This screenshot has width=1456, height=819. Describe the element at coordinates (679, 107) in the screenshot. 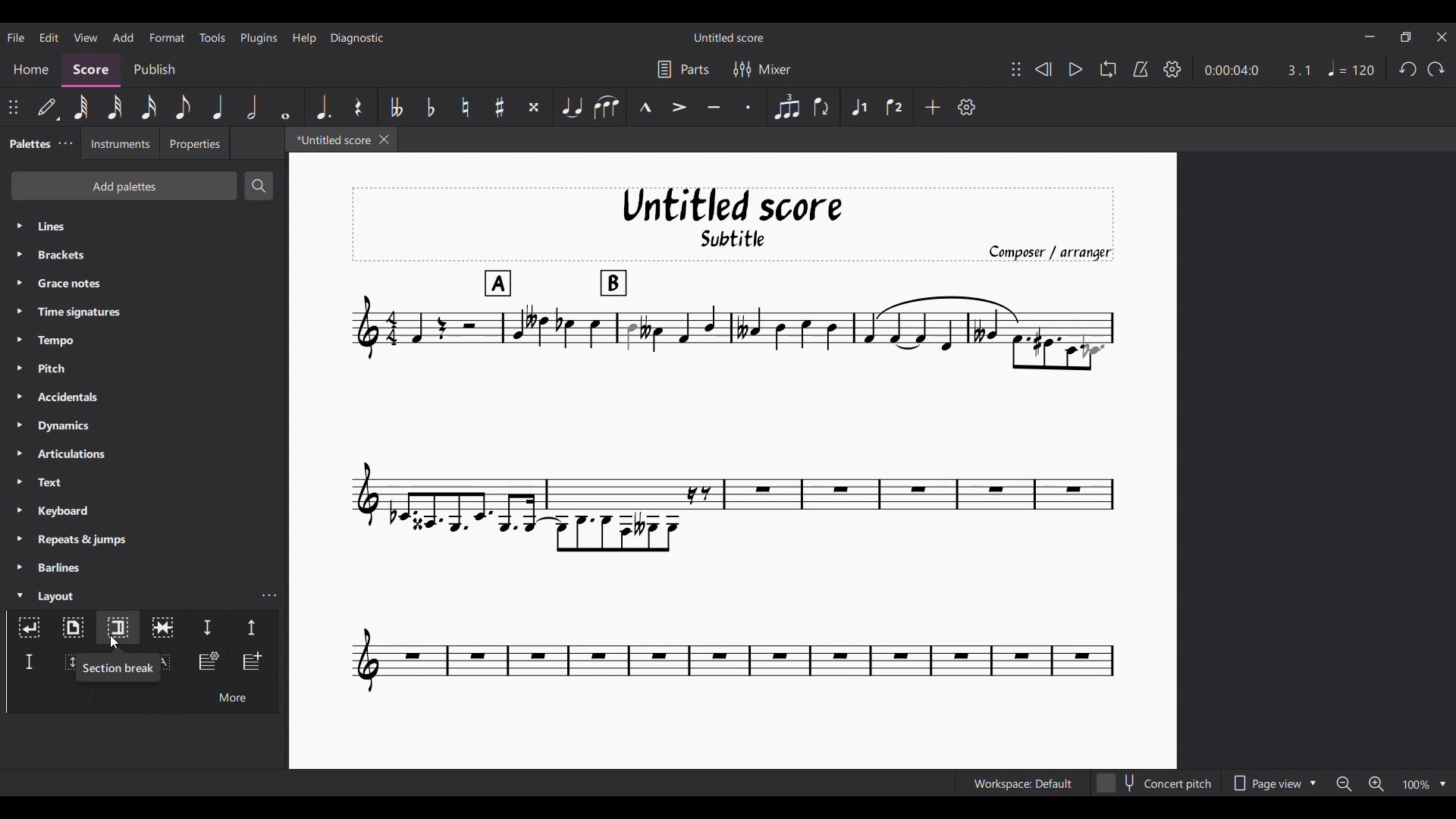

I see `Accent` at that location.